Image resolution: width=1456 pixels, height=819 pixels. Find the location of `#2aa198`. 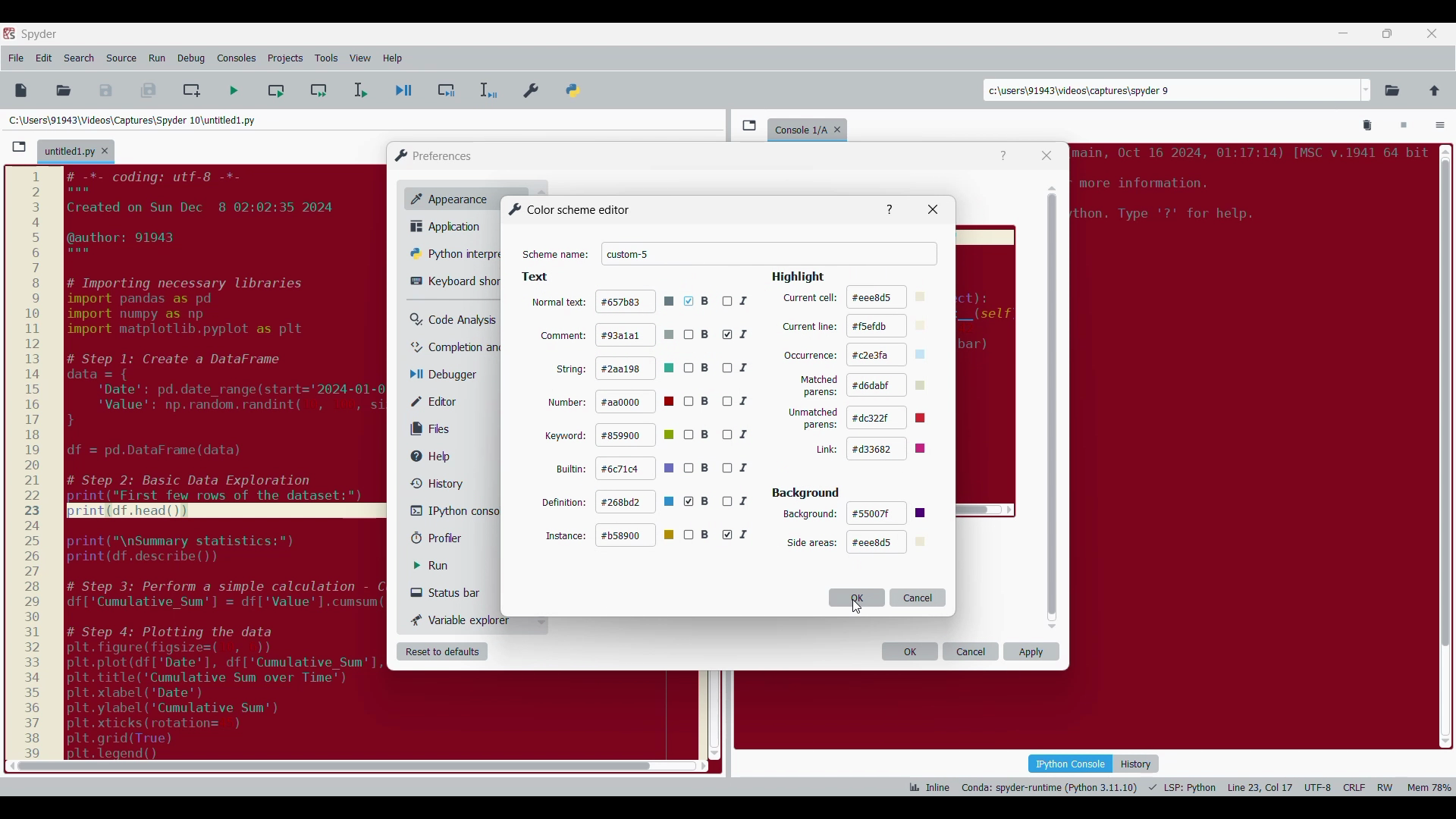

#2aa198 is located at coordinates (636, 368).